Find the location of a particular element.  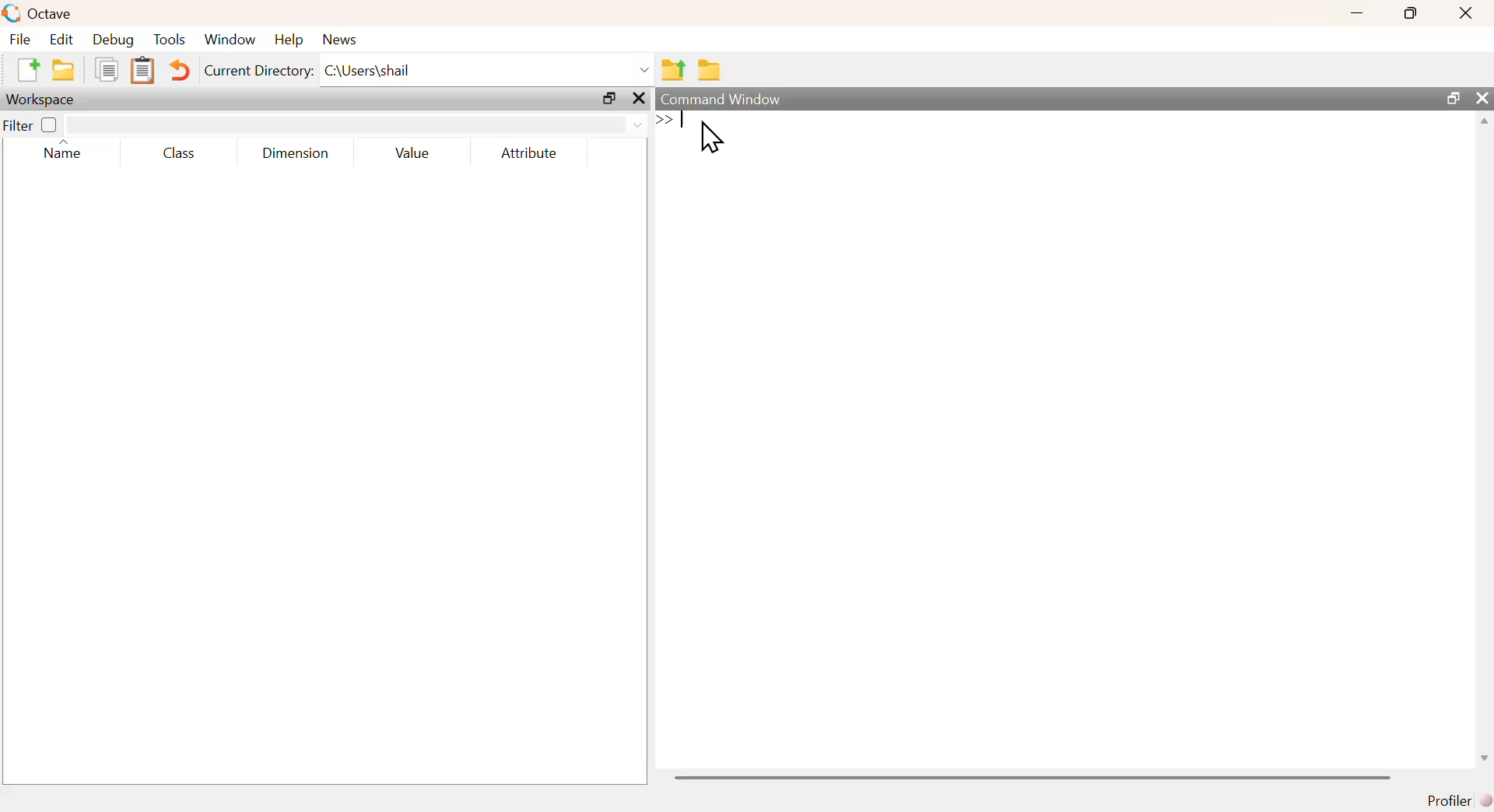

filter is located at coordinates (356, 125).